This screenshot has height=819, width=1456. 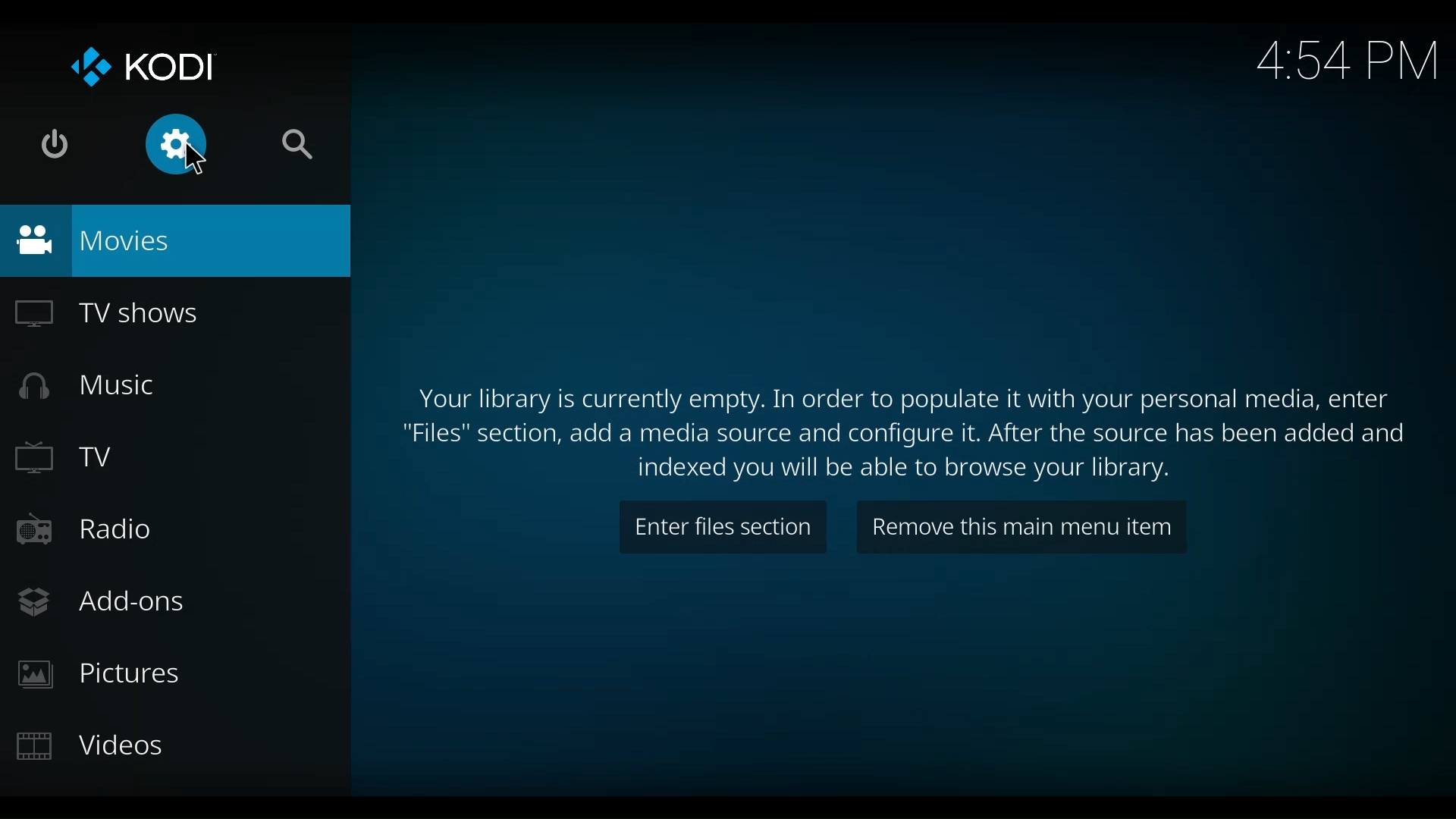 What do you see at coordinates (80, 530) in the screenshot?
I see `Radio` at bounding box center [80, 530].